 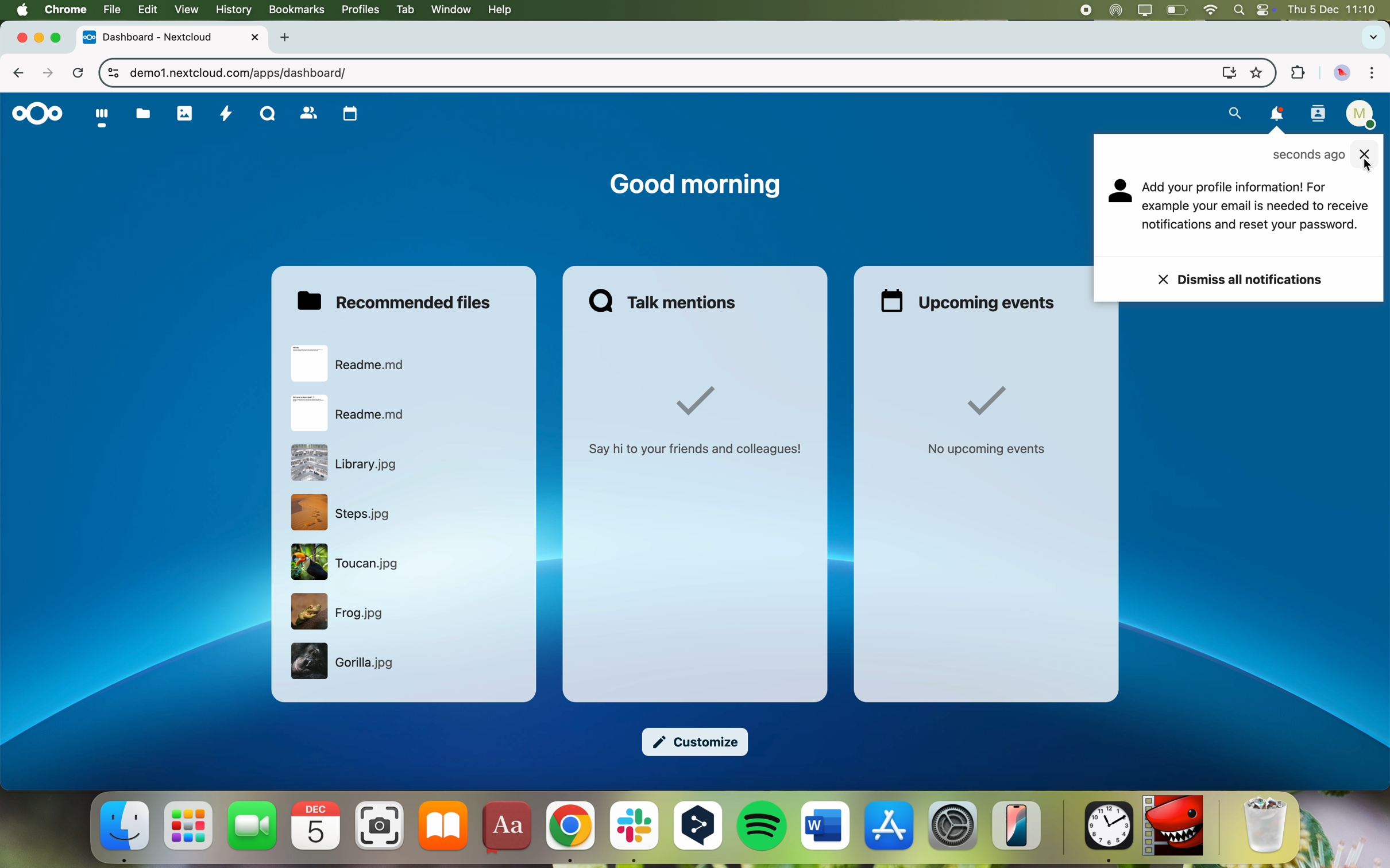 What do you see at coordinates (186, 113) in the screenshot?
I see `photos` at bounding box center [186, 113].